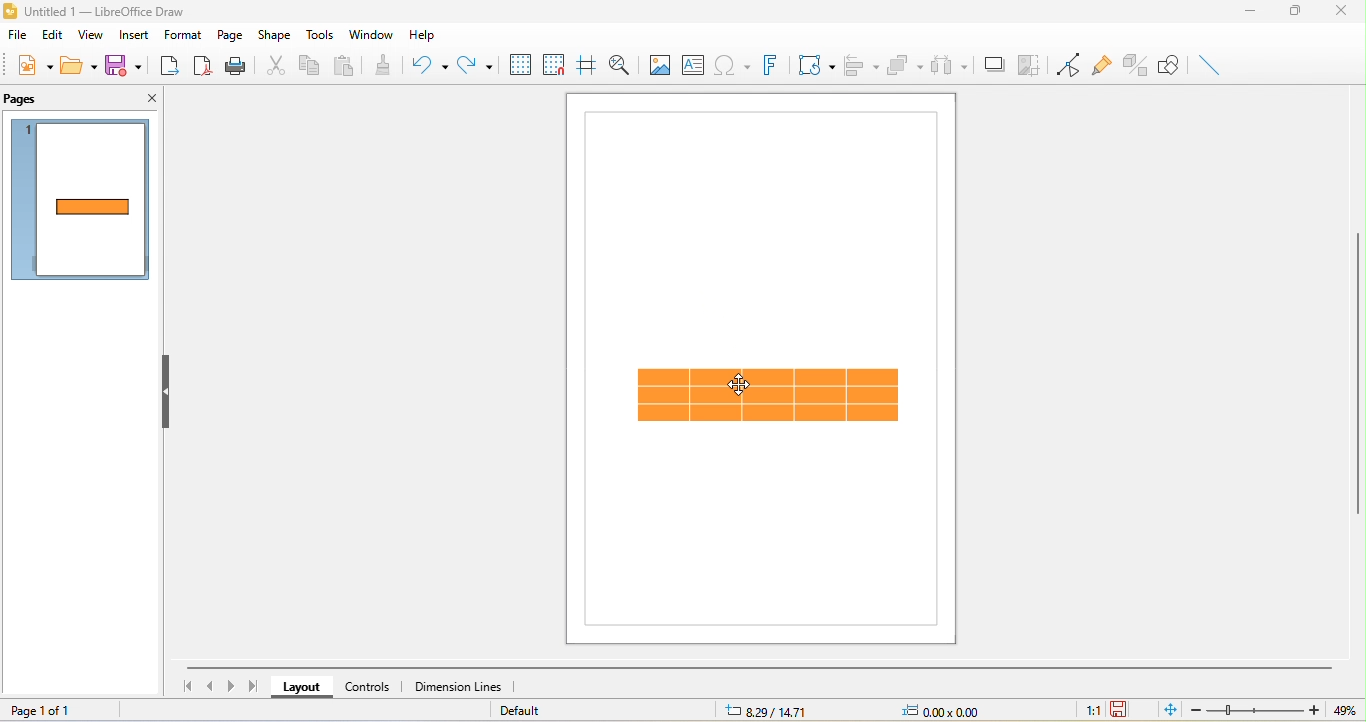 The height and width of the screenshot is (722, 1366). What do you see at coordinates (258, 687) in the screenshot?
I see `last page` at bounding box center [258, 687].